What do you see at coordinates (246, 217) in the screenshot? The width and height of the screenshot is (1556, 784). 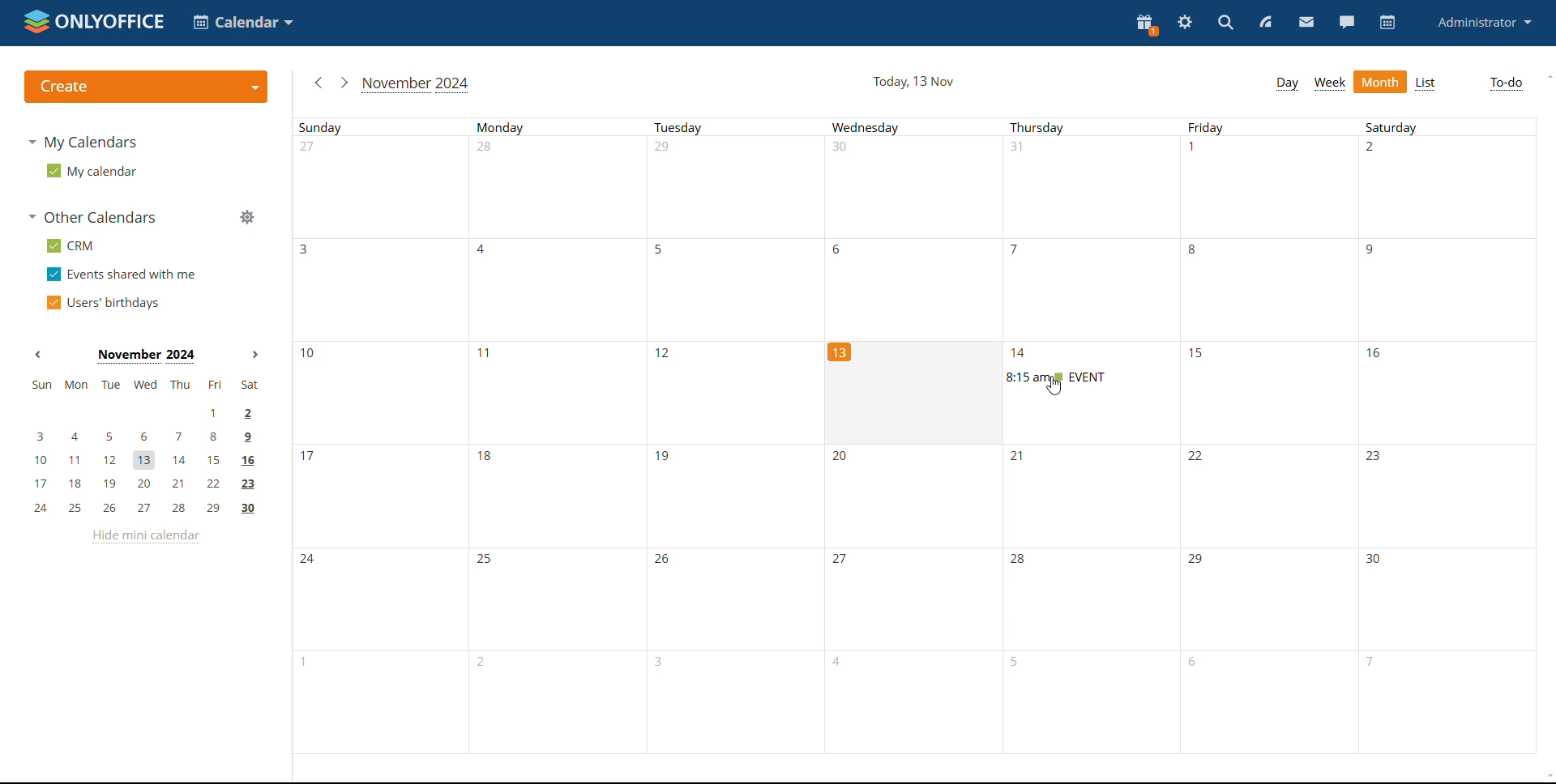 I see `manage` at bounding box center [246, 217].